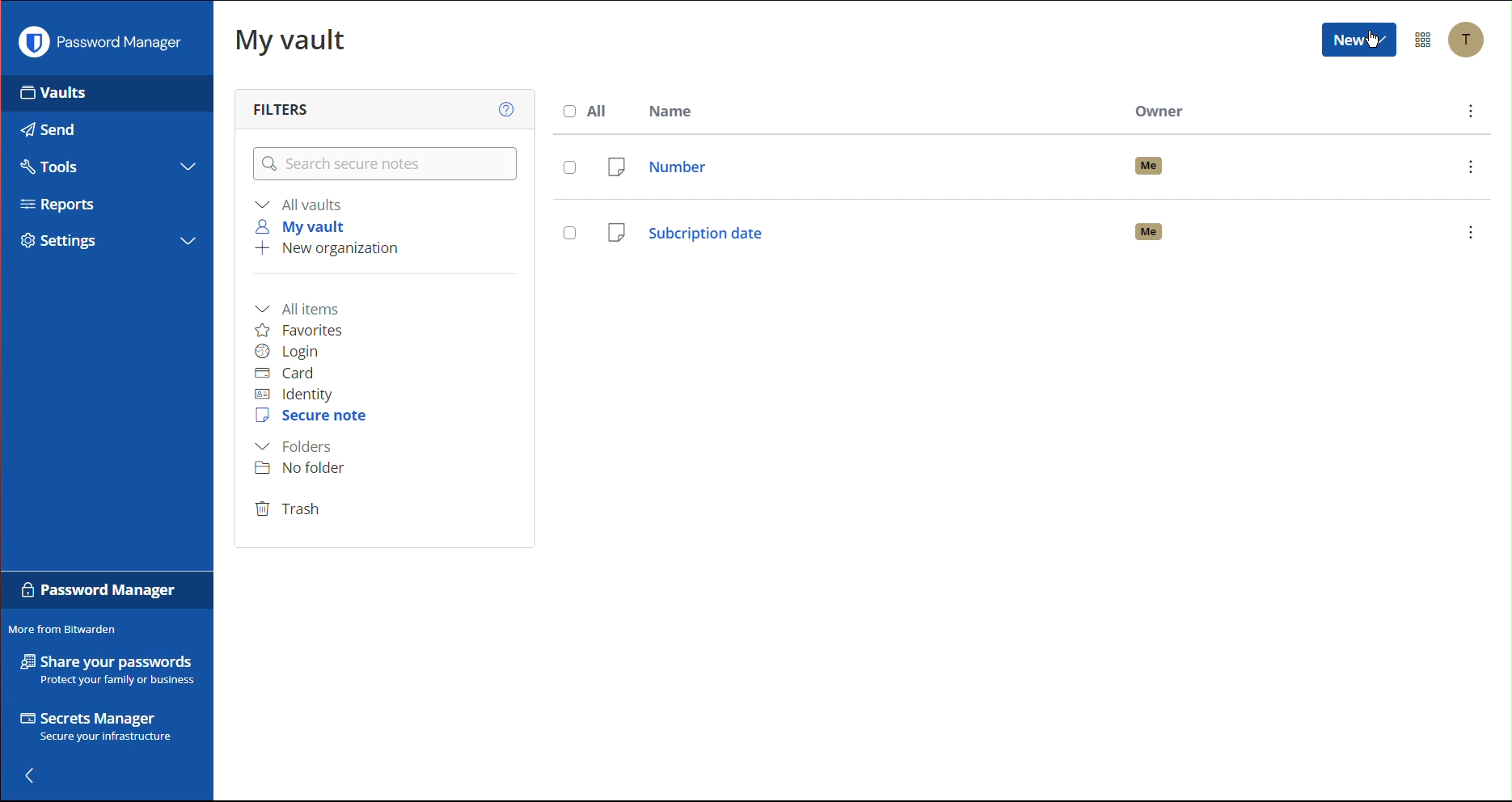 The height and width of the screenshot is (802, 1512). I want to click on Search Bar, so click(382, 165).